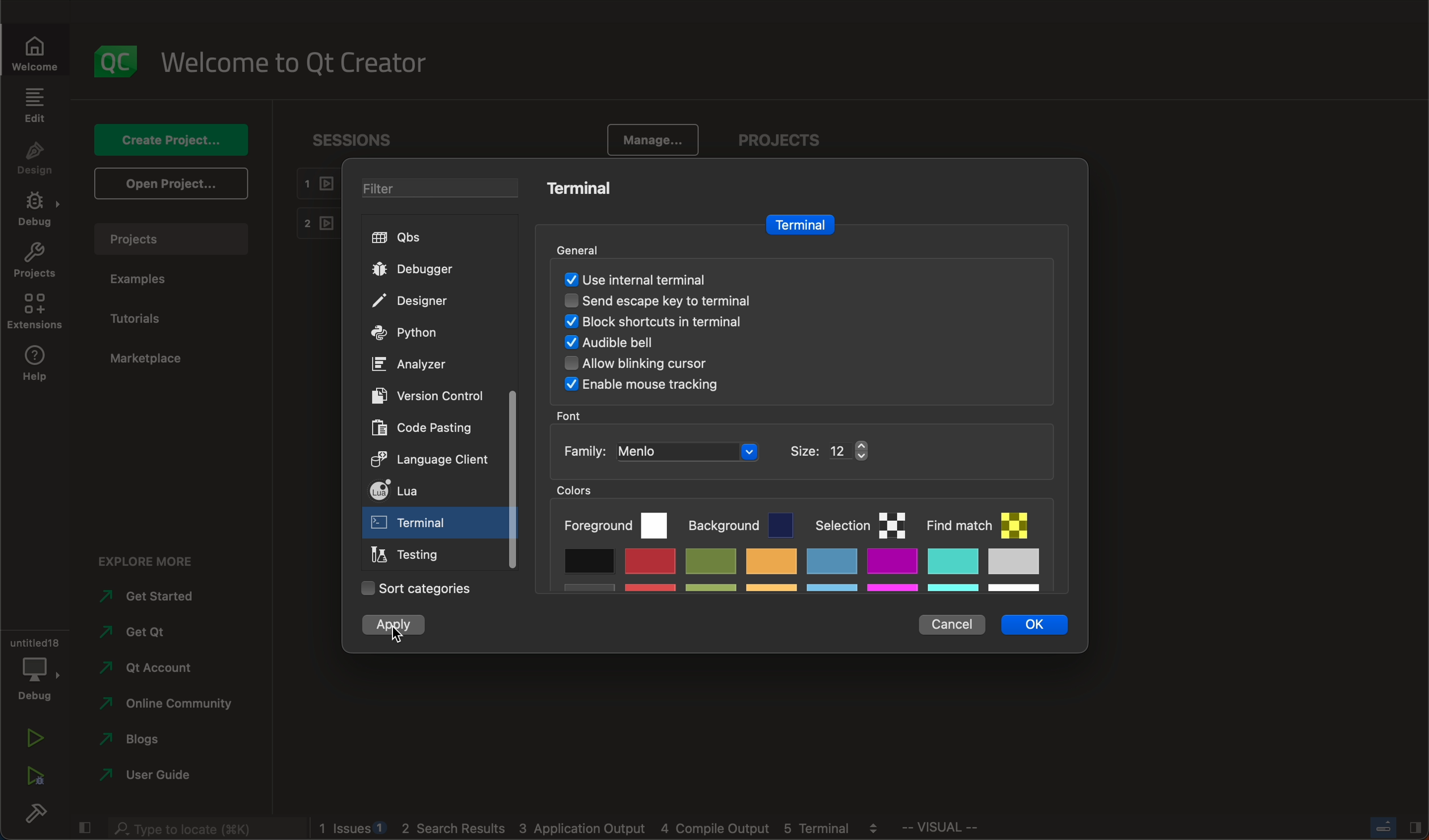 This screenshot has height=840, width=1429. I want to click on audio, so click(631, 344).